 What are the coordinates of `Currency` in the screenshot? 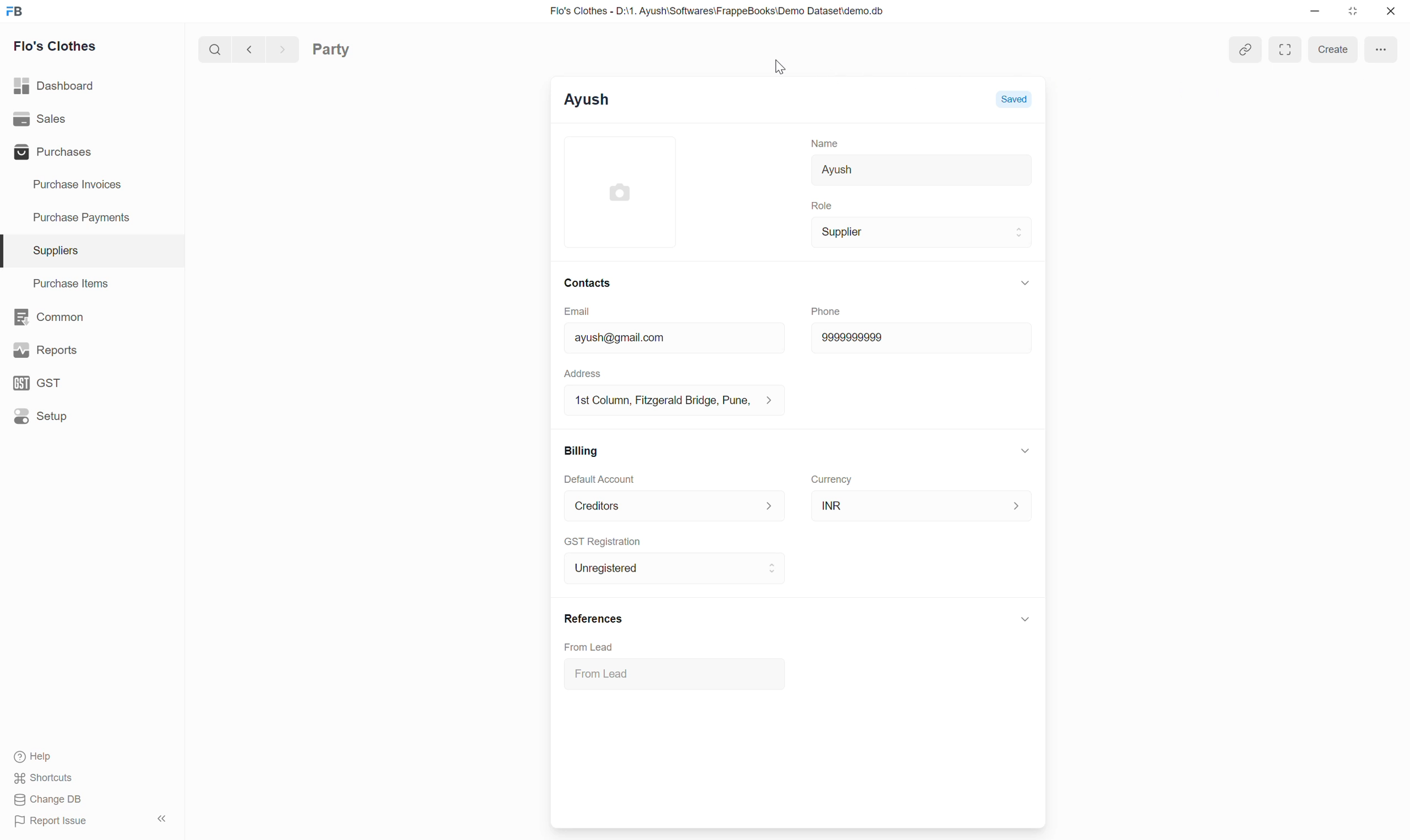 It's located at (832, 480).